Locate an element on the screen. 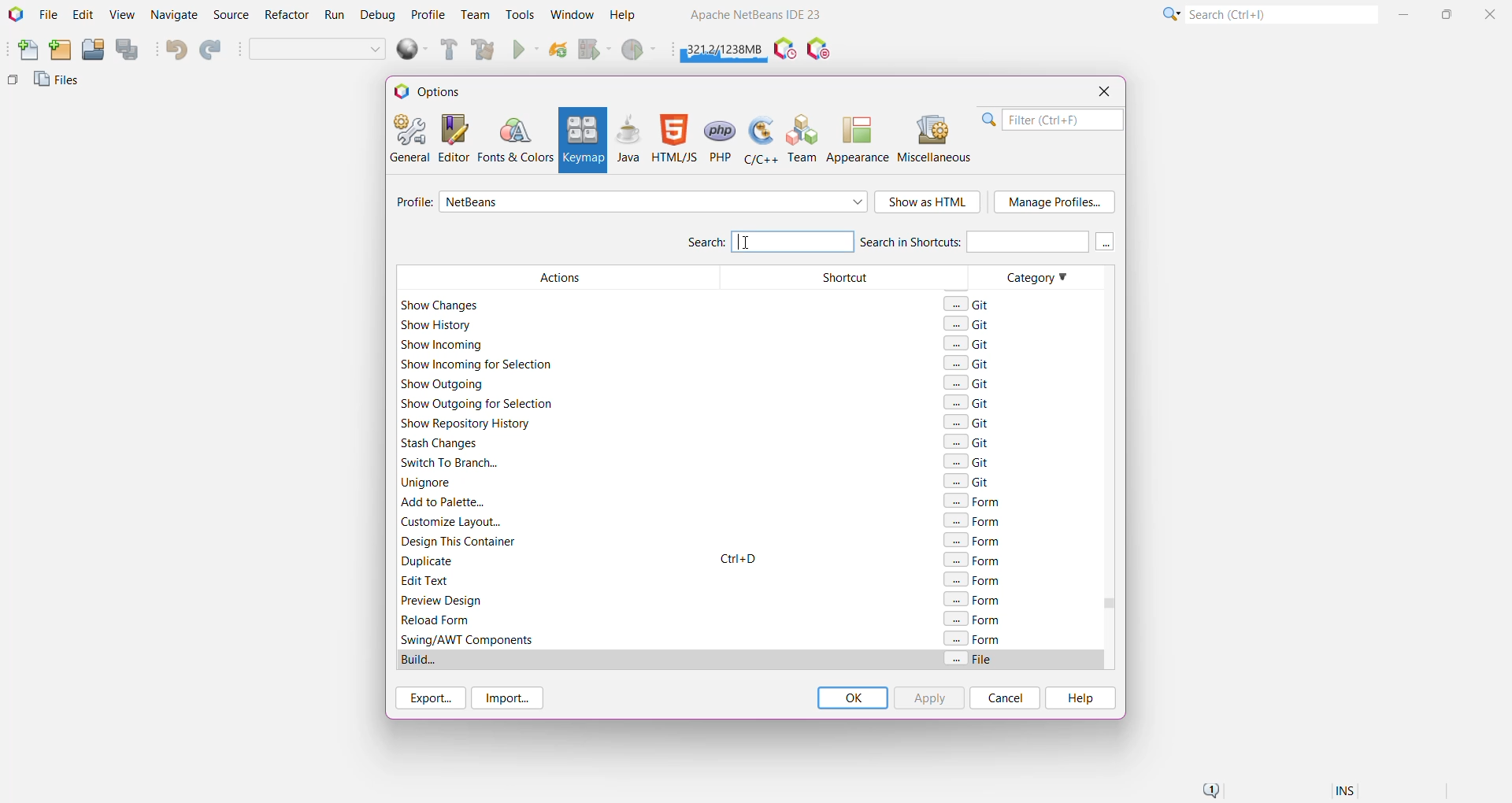 This screenshot has width=1512, height=803. Actions is located at coordinates (554, 467).